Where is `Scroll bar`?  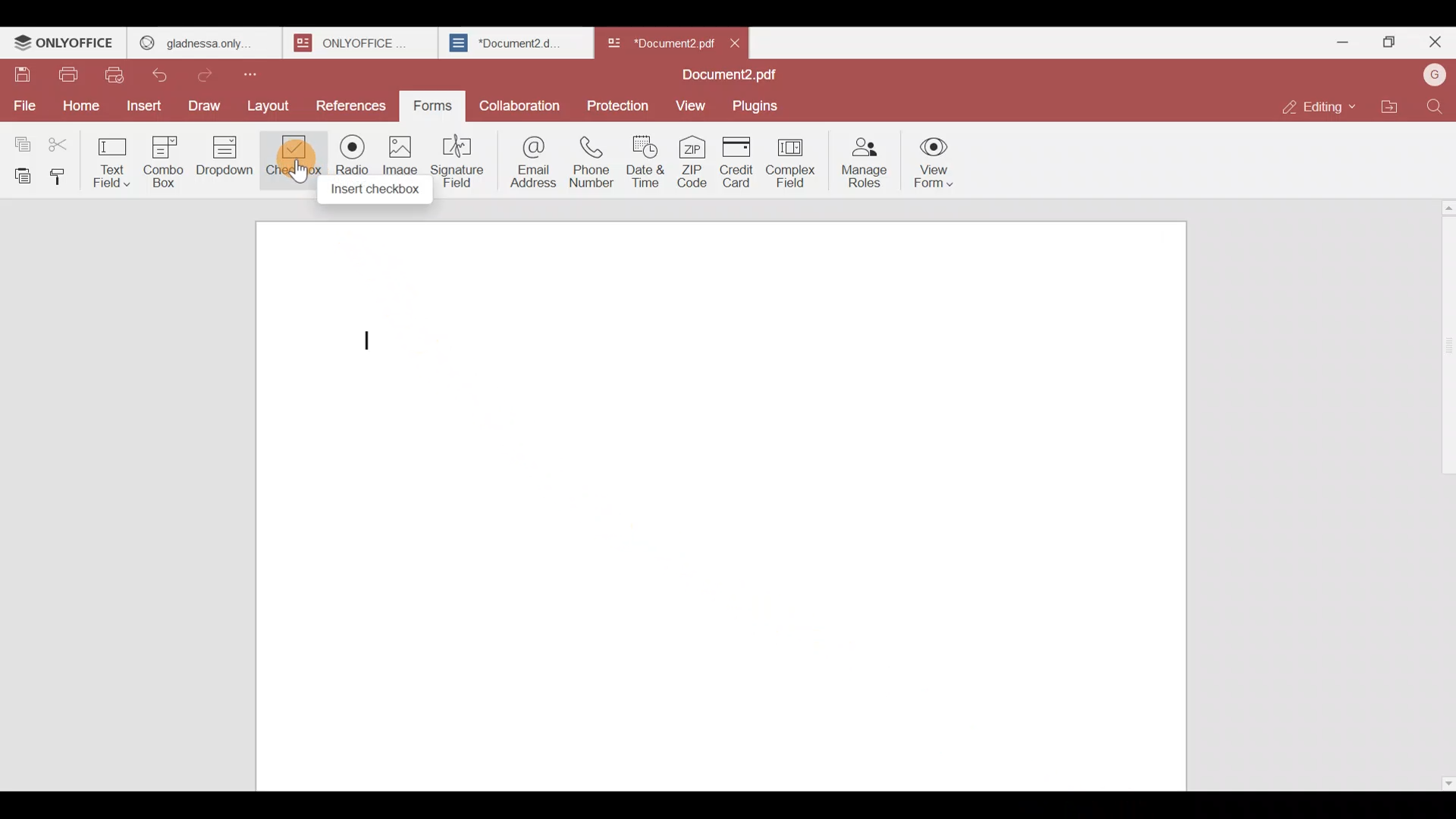 Scroll bar is located at coordinates (1443, 491).